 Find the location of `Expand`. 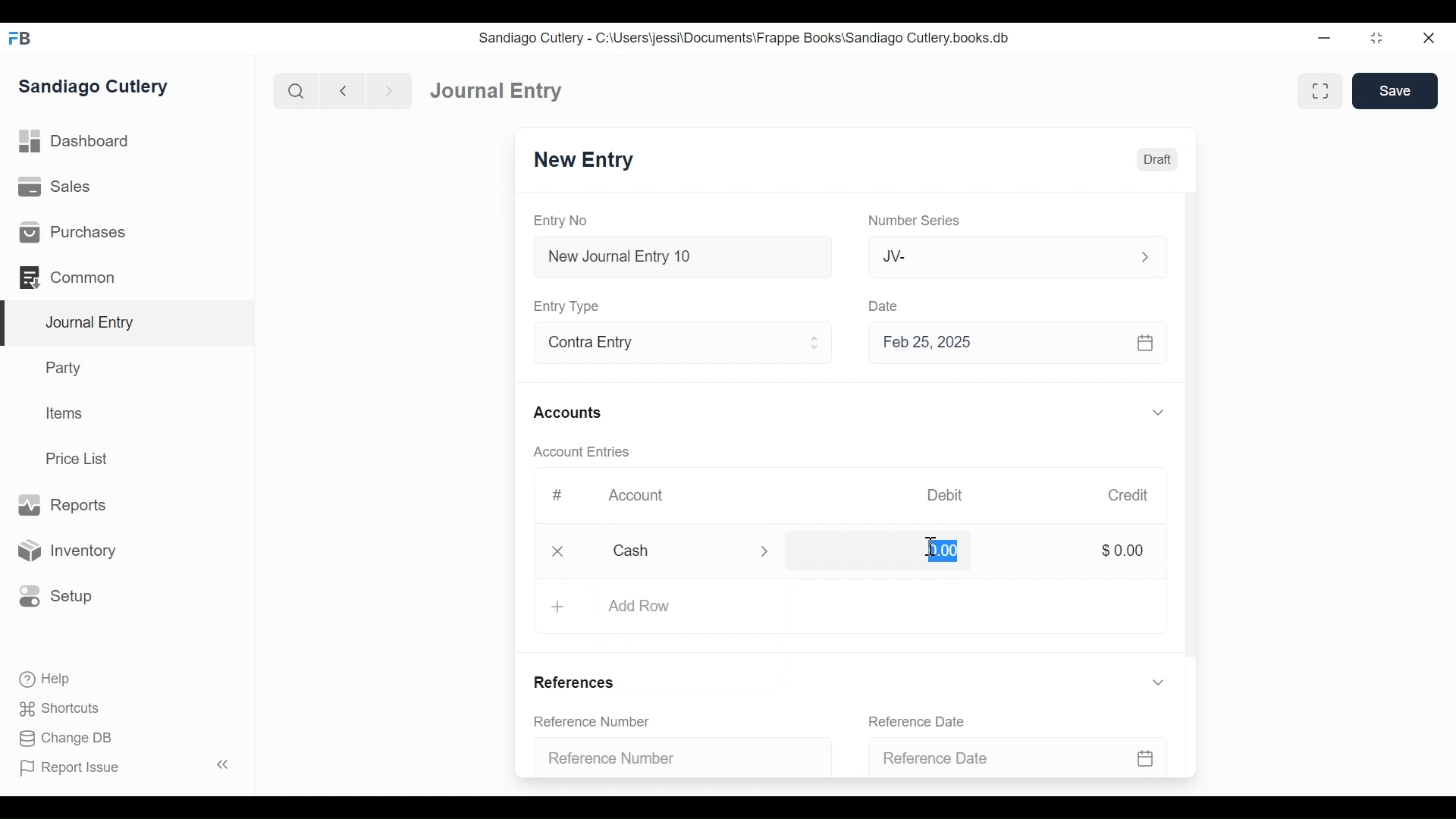

Expand is located at coordinates (1160, 685).